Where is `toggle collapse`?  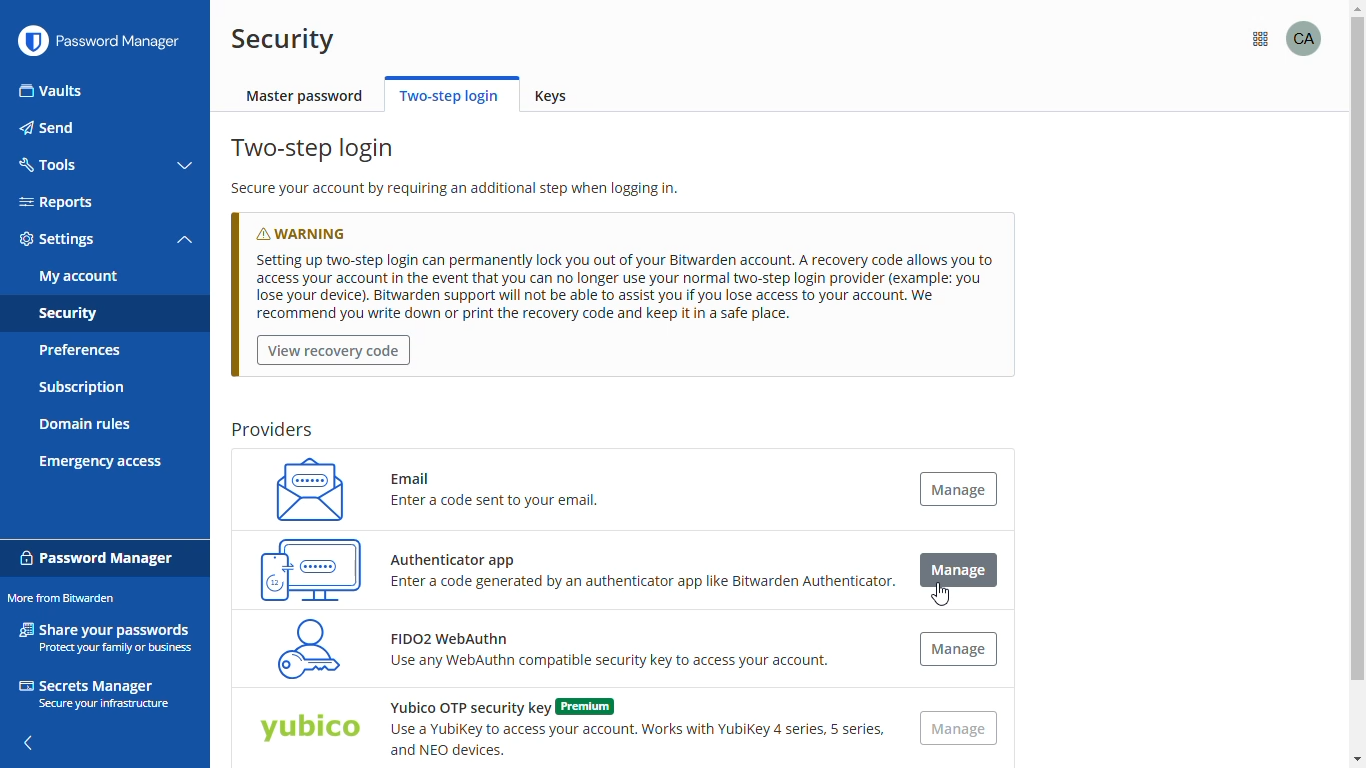
toggle collapse is located at coordinates (185, 241).